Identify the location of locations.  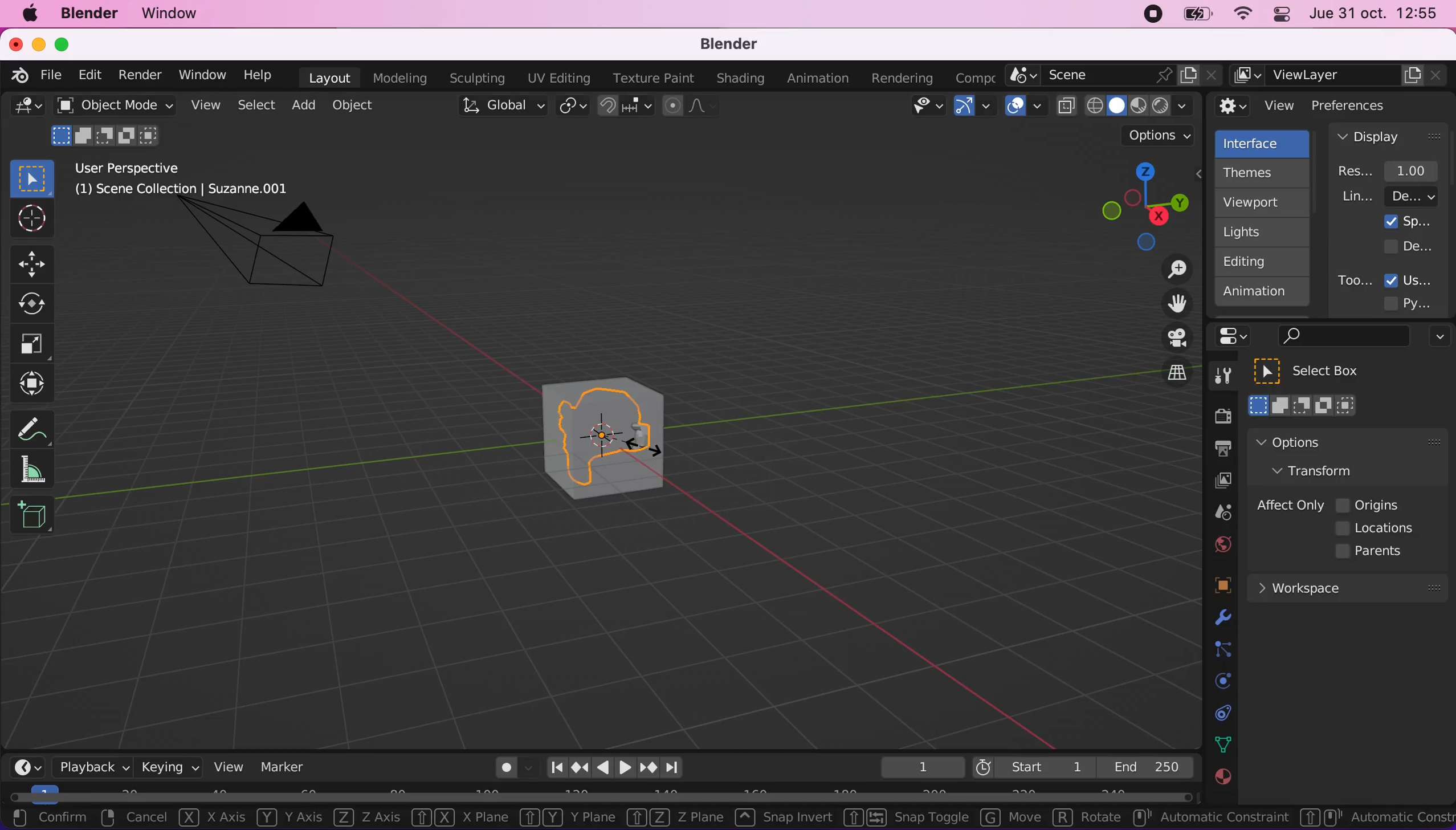
(1378, 528).